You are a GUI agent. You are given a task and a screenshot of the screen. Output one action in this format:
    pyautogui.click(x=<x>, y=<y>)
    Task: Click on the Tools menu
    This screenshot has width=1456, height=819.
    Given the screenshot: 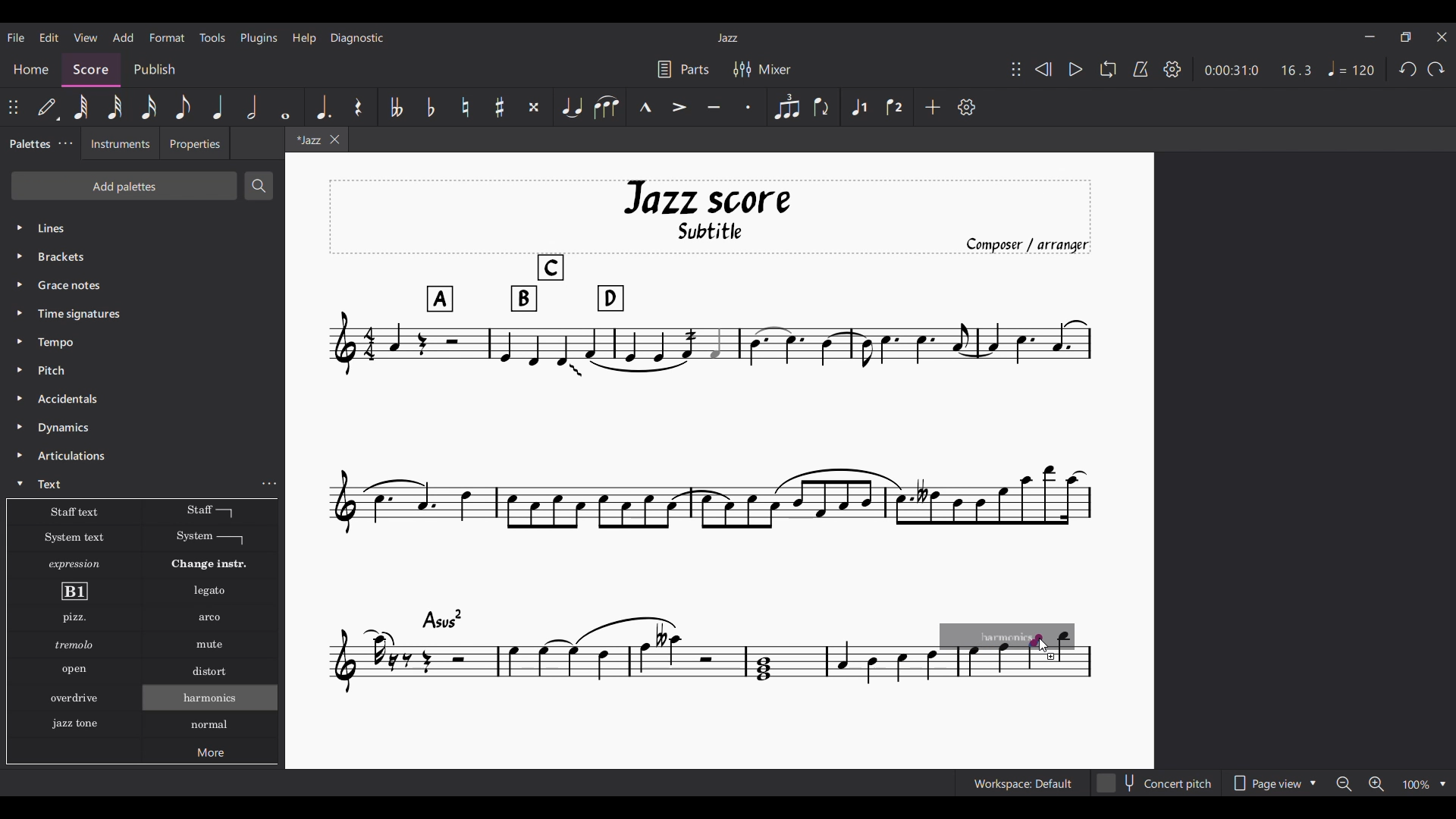 What is the action you would take?
    pyautogui.click(x=213, y=38)
    